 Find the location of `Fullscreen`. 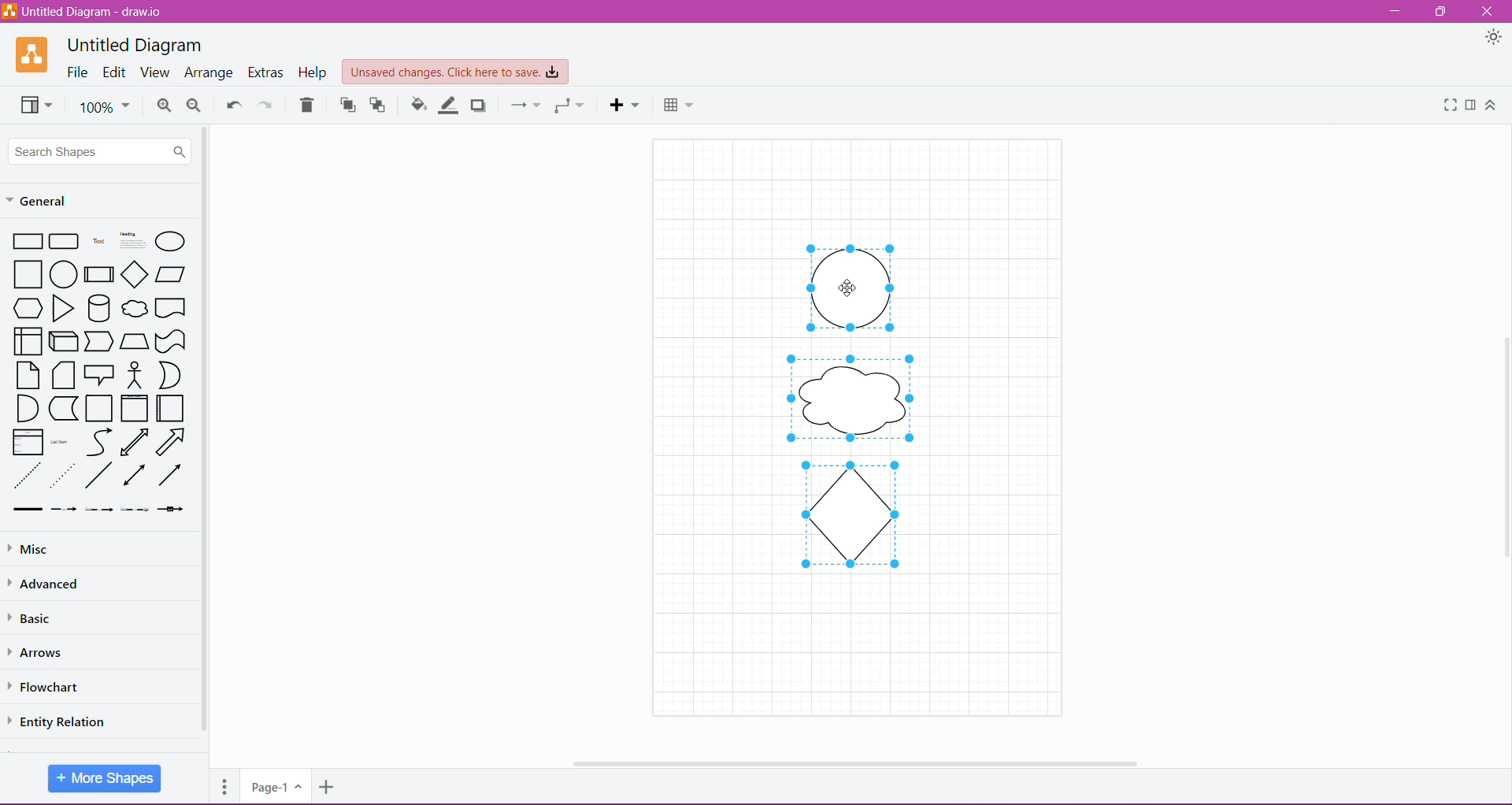

Fullscreen is located at coordinates (1447, 105).